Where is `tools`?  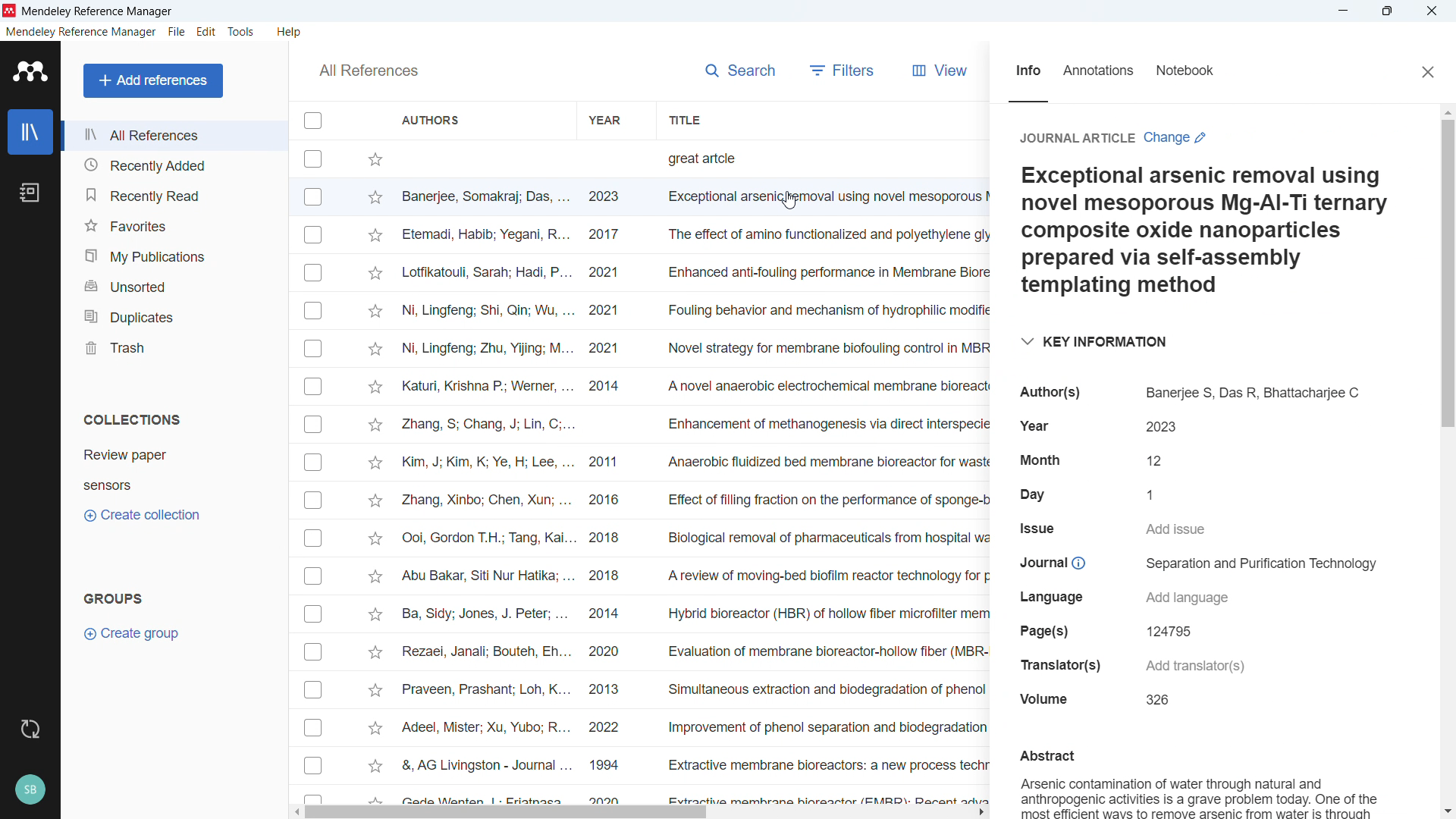 tools is located at coordinates (241, 32).